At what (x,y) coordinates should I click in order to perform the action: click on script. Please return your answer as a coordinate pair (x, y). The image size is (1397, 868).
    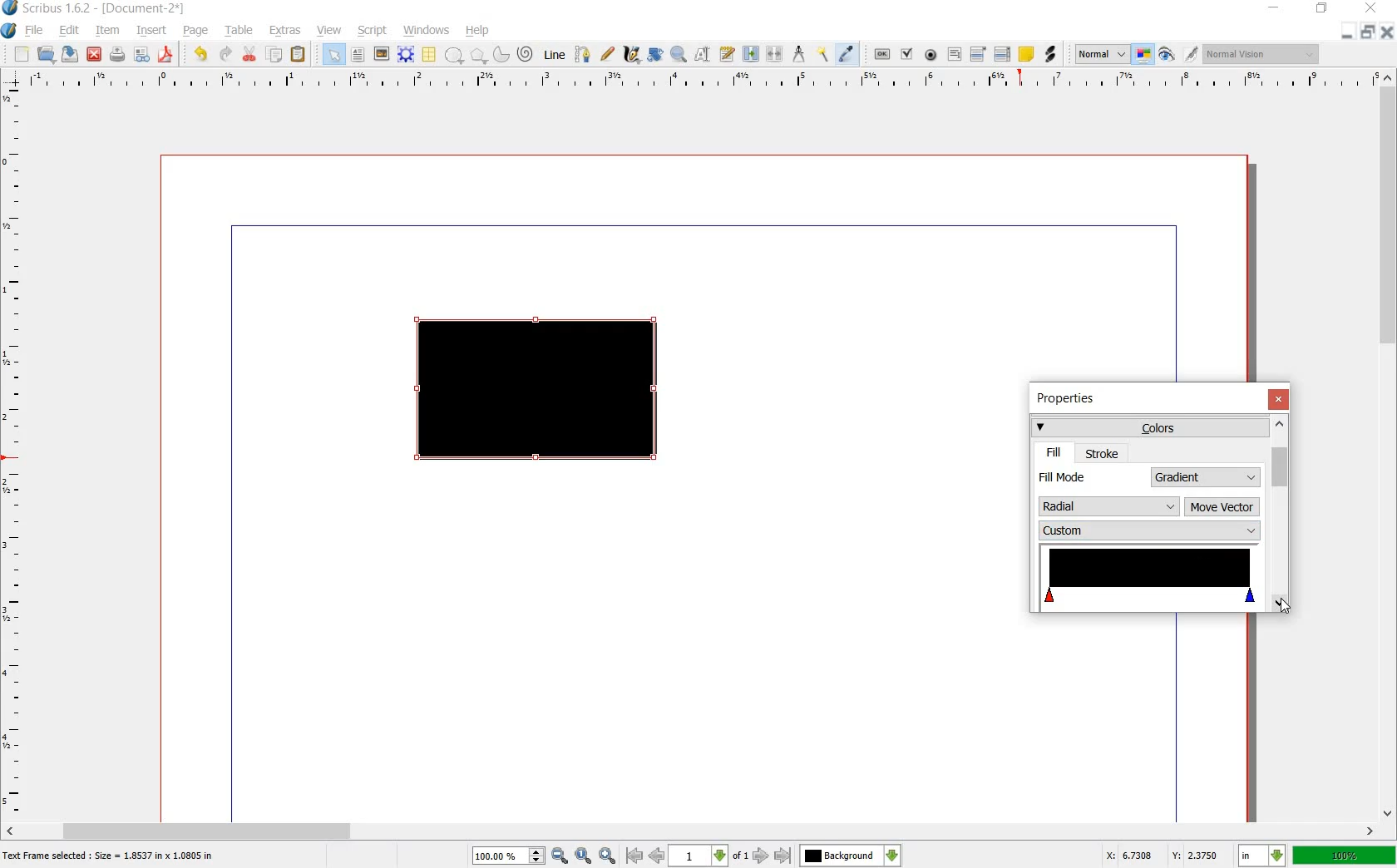
    Looking at the image, I should click on (373, 31).